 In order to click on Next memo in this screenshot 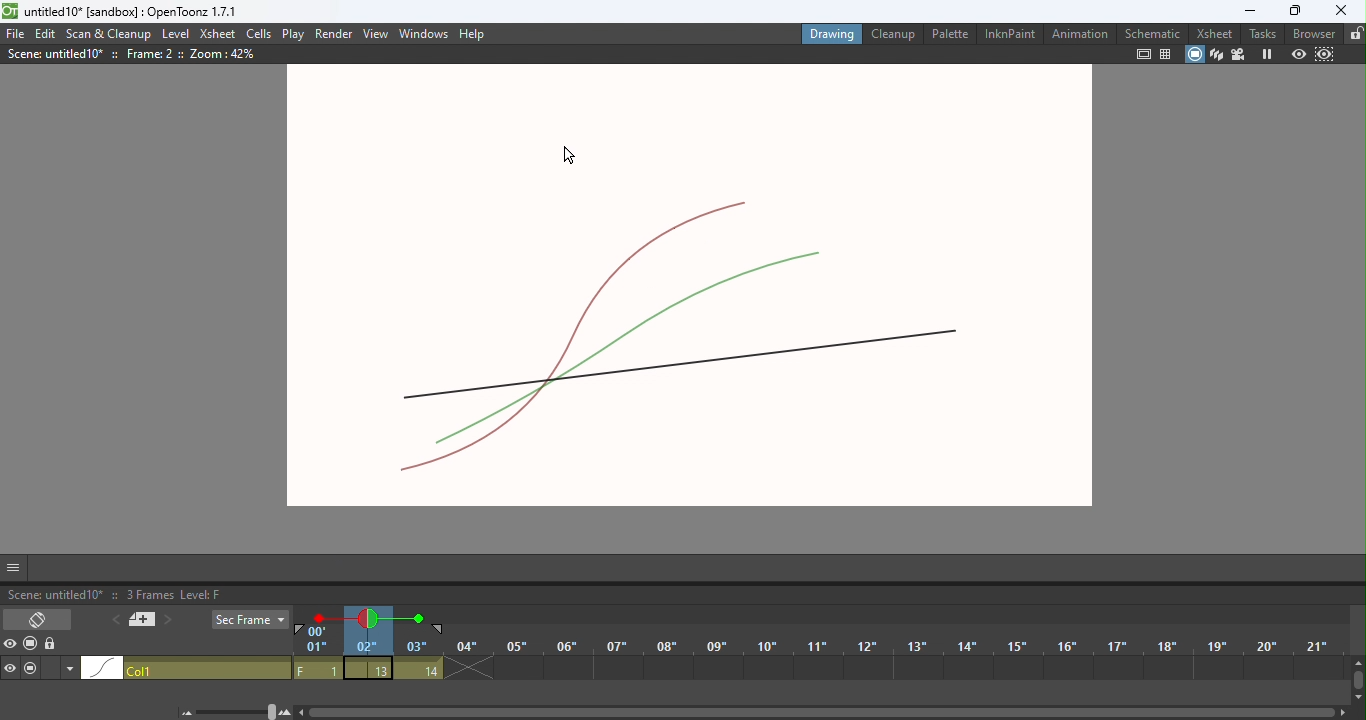, I will do `click(167, 623)`.